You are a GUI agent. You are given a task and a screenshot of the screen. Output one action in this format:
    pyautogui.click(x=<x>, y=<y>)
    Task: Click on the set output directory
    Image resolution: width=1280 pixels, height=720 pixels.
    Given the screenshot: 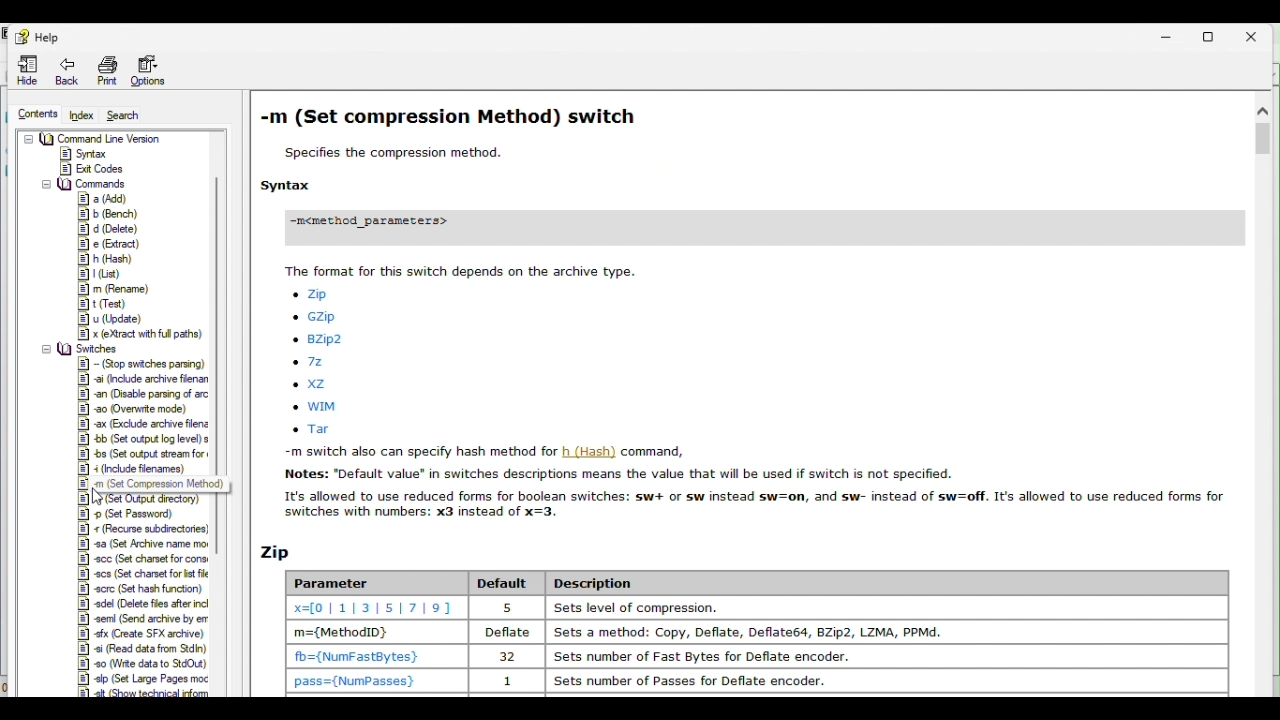 What is the action you would take?
    pyautogui.click(x=146, y=499)
    